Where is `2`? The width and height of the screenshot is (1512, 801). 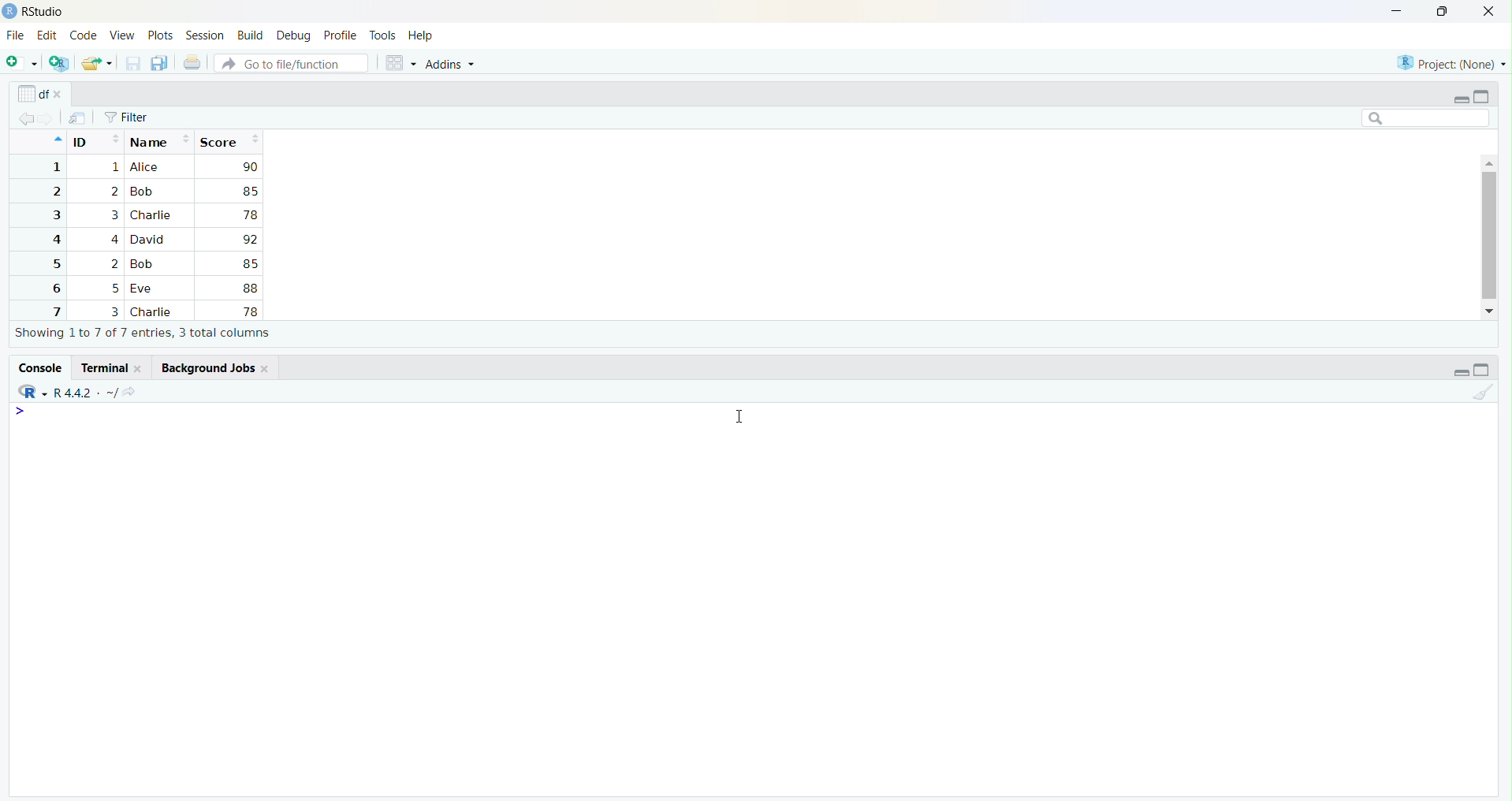 2 is located at coordinates (54, 192).